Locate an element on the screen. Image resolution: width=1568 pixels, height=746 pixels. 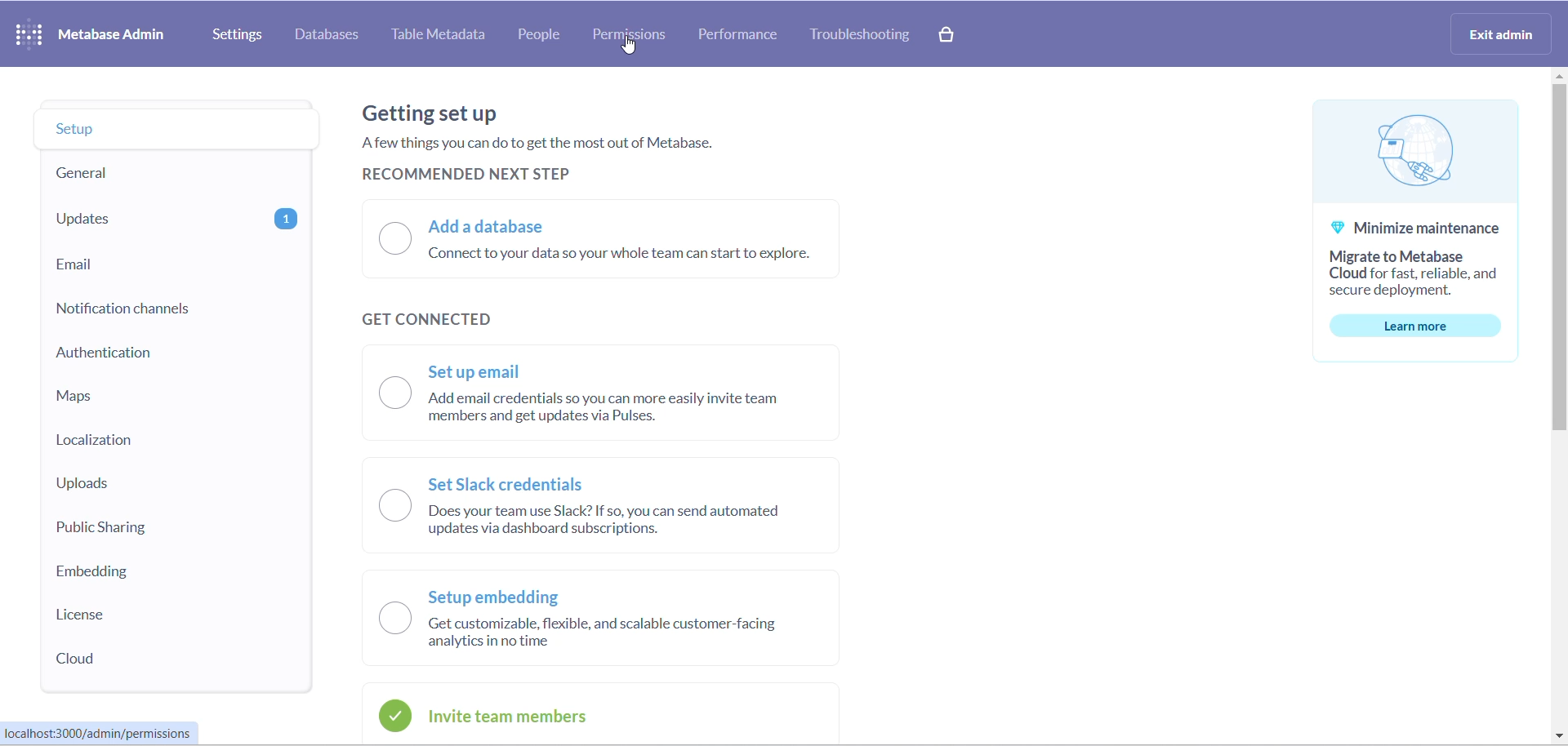
set slack credentials radio button is located at coordinates (607, 506).